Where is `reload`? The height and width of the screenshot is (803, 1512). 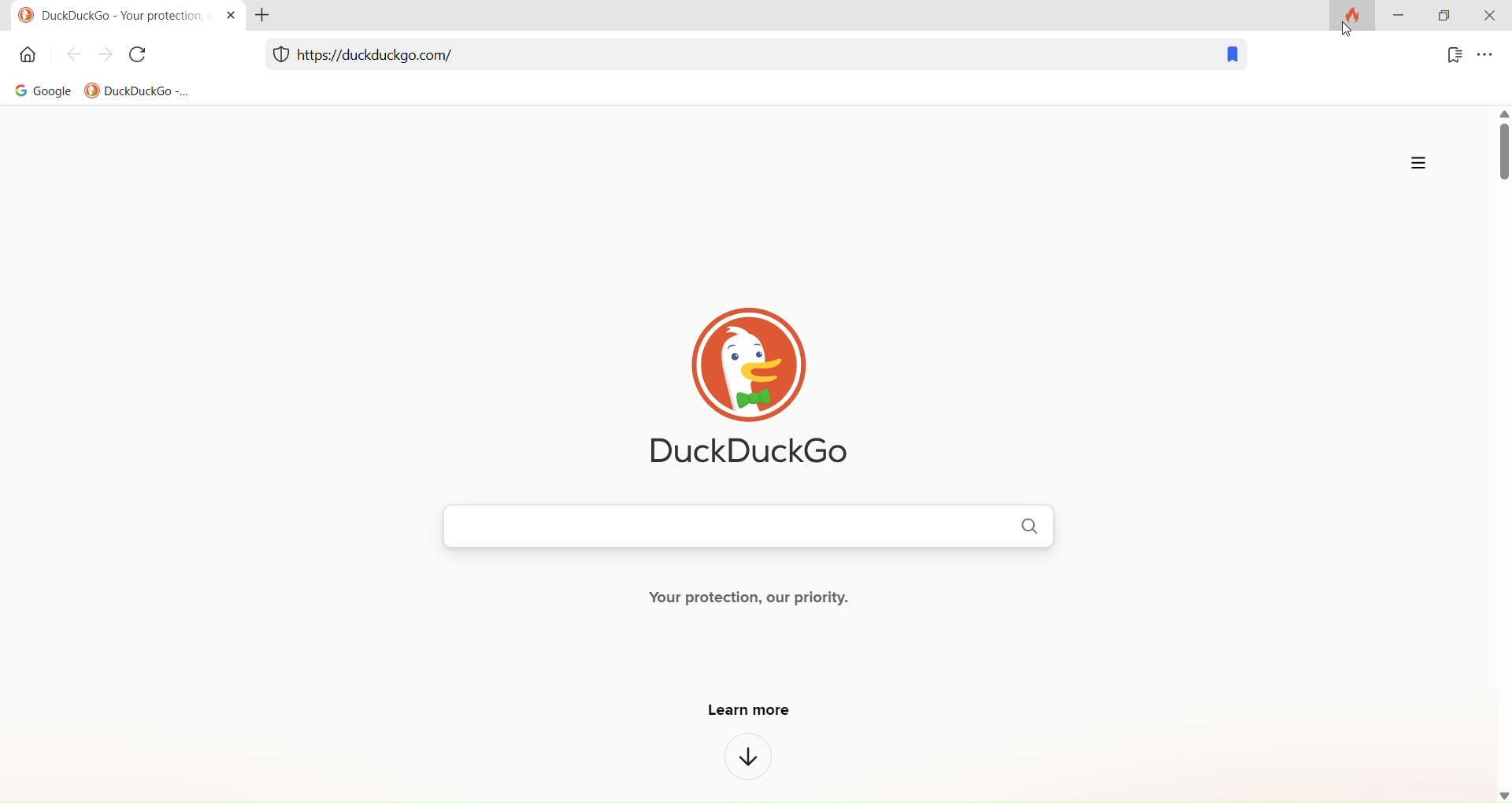
reload is located at coordinates (139, 57).